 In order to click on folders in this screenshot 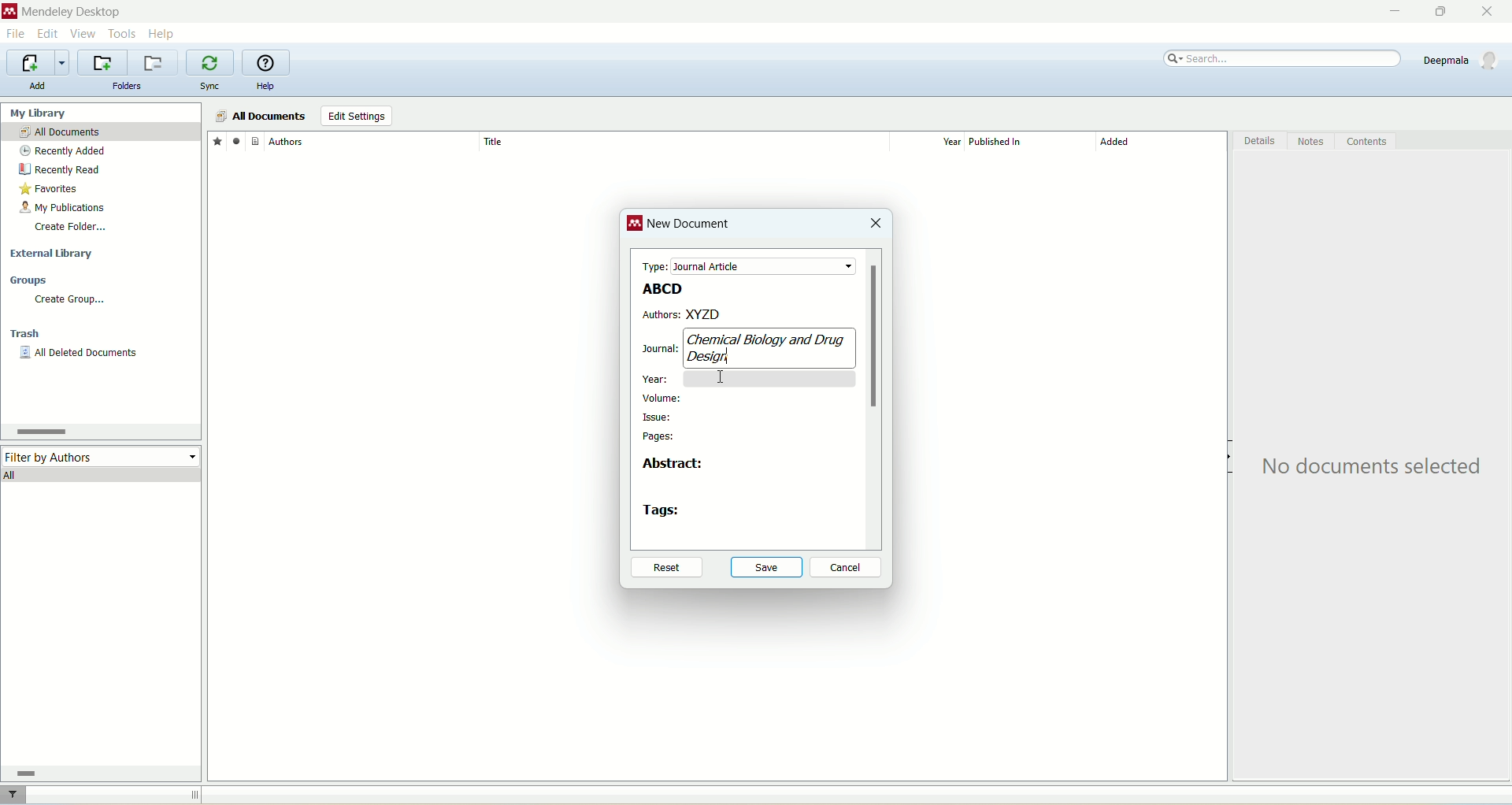, I will do `click(128, 87)`.